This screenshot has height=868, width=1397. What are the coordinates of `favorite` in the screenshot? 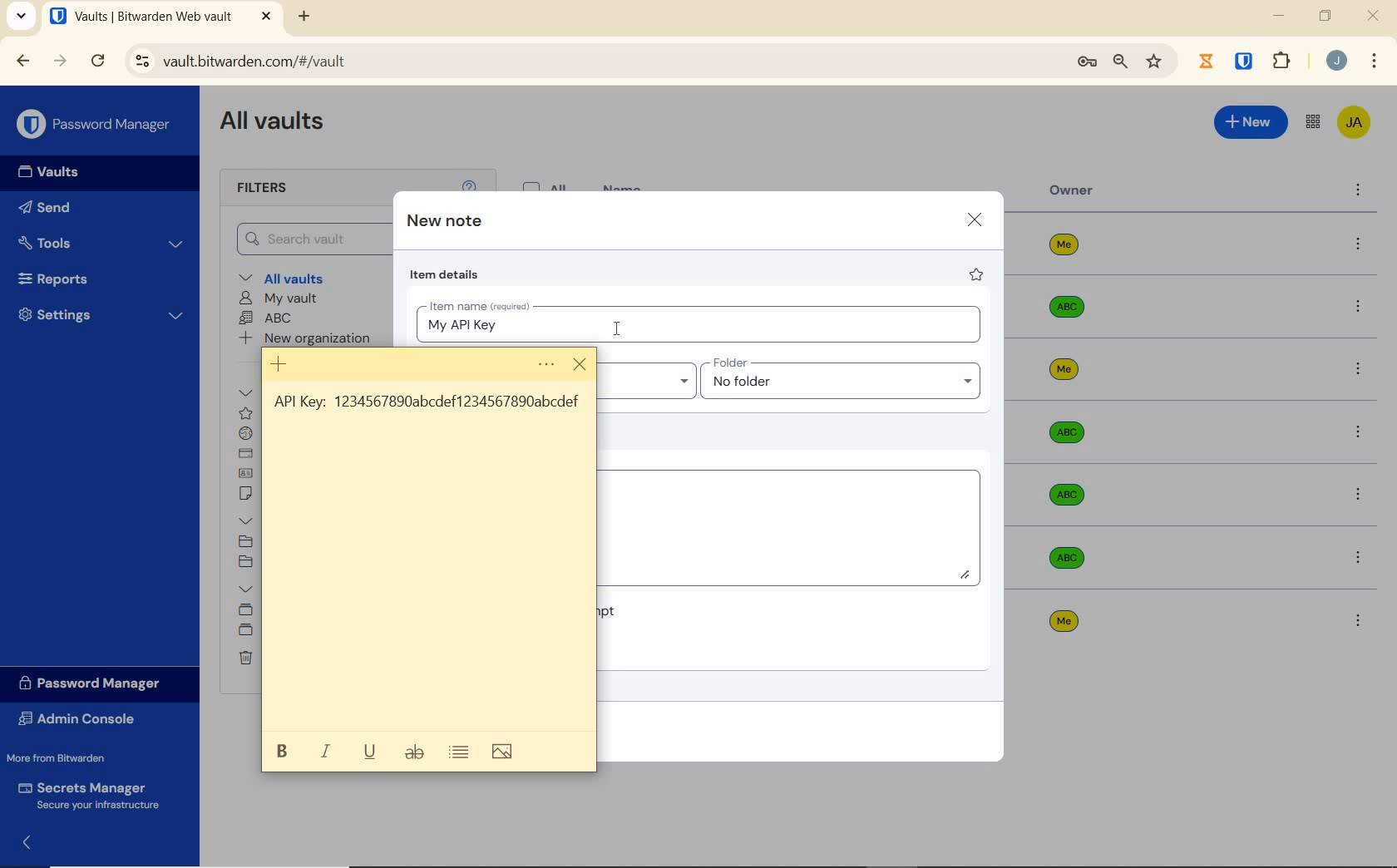 It's located at (977, 277).